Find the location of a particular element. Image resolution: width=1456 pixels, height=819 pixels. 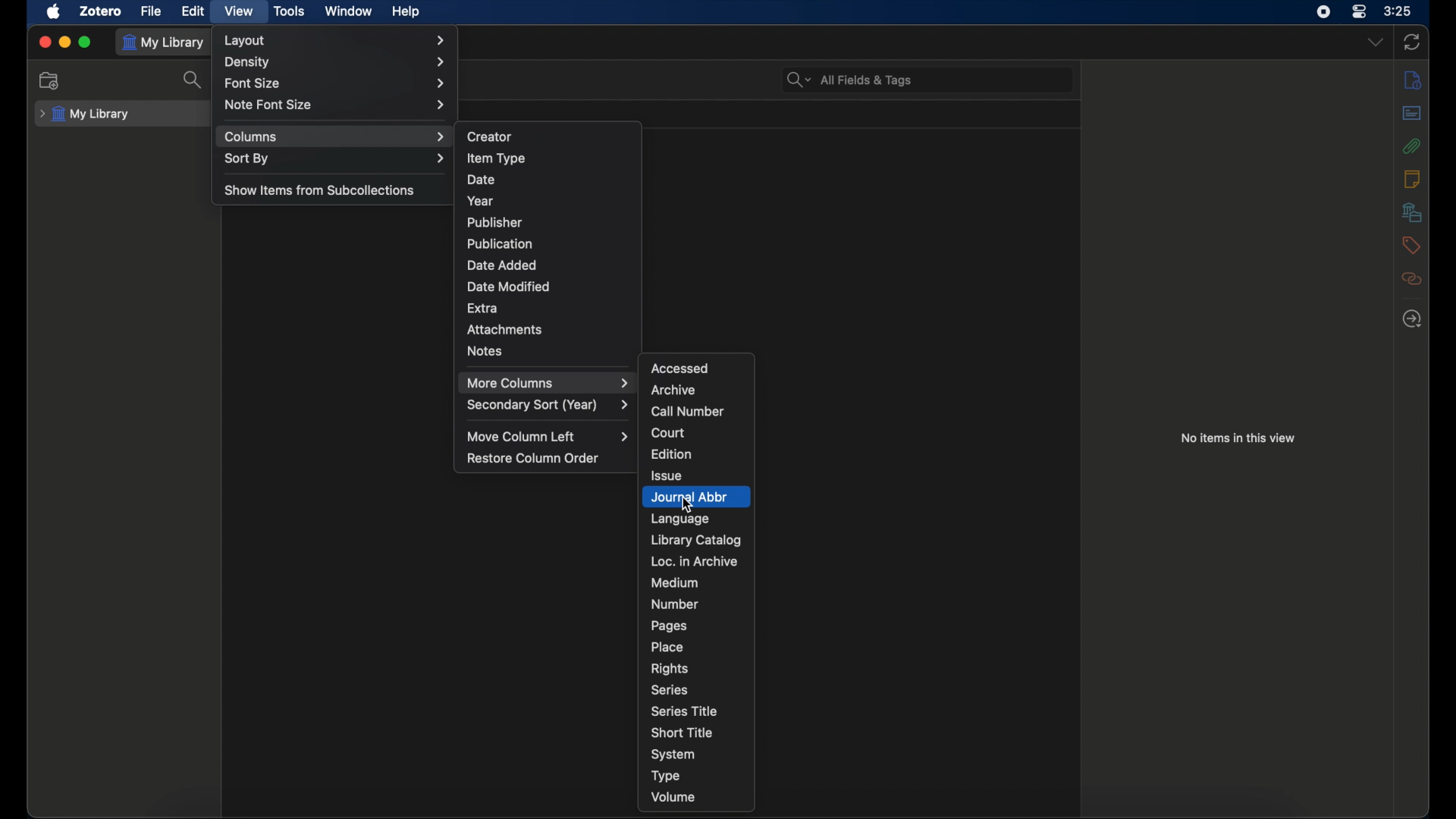

notes is located at coordinates (486, 352).